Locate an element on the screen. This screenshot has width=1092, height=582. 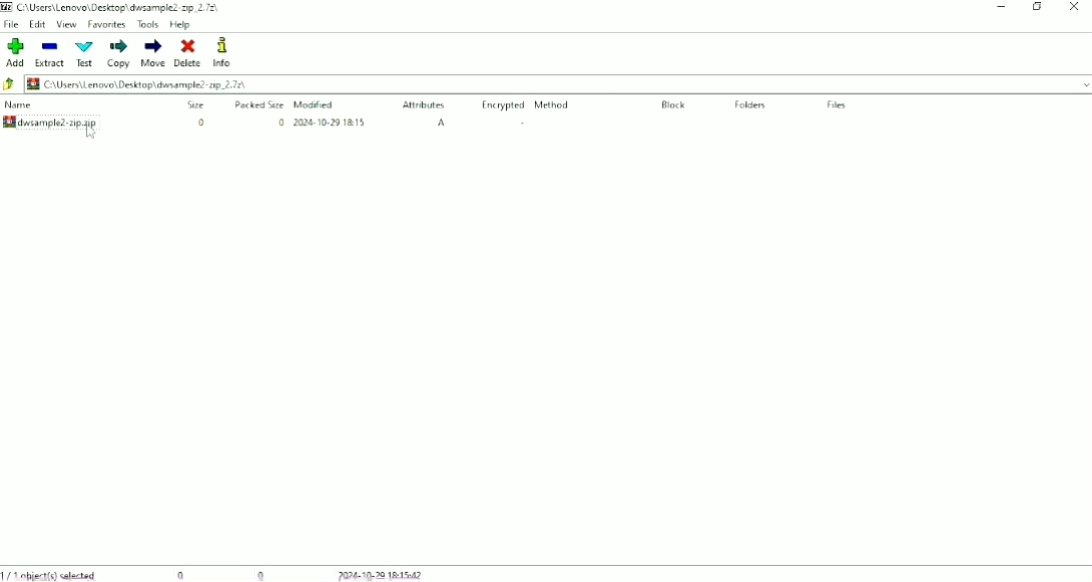
Size is located at coordinates (195, 105).